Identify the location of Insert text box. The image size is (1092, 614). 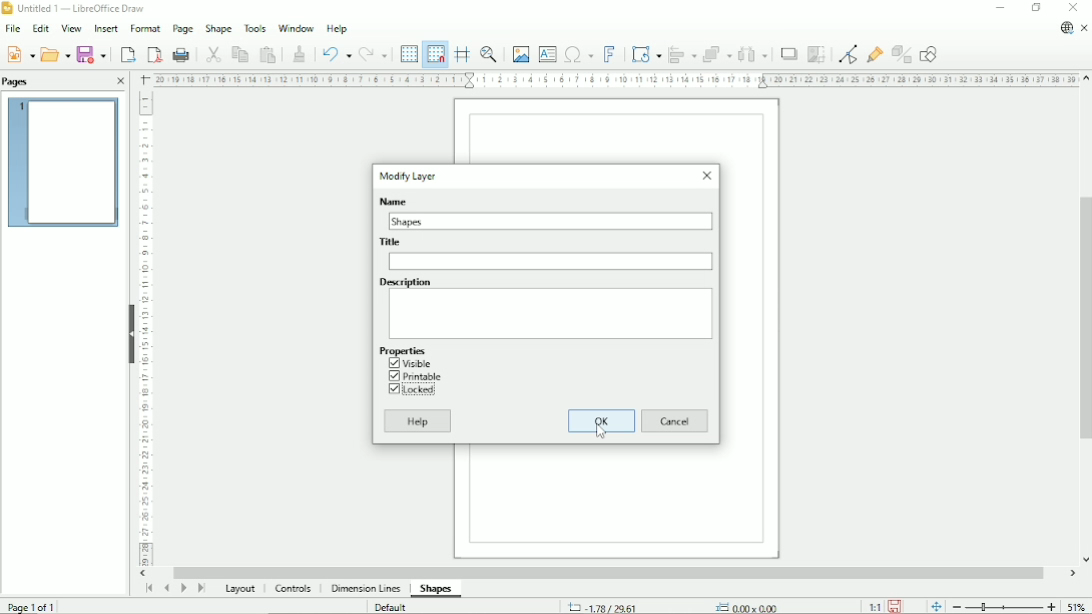
(548, 53).